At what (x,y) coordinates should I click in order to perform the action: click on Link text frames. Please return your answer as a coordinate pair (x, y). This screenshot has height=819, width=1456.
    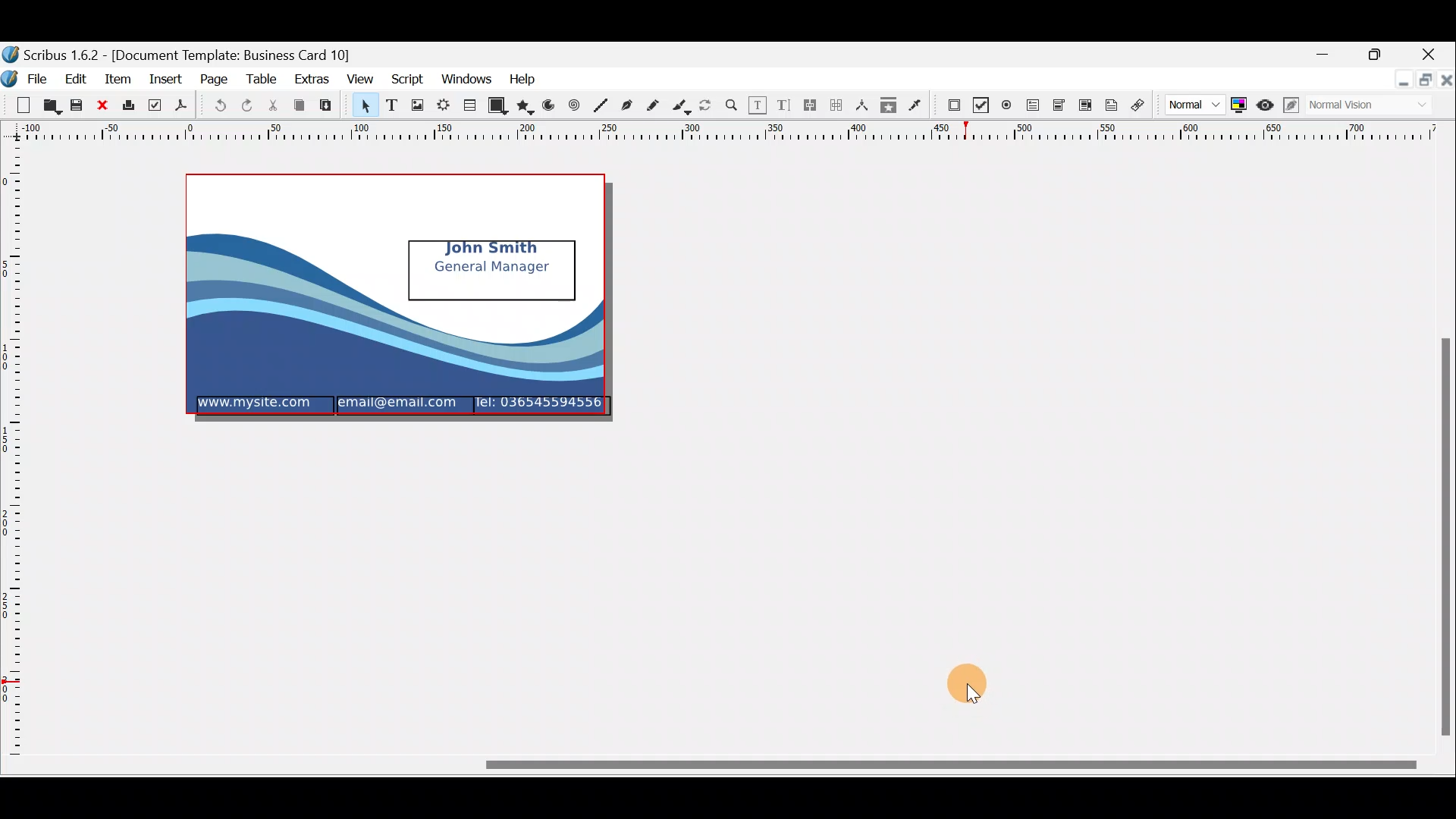
    Looking at the image, I should click on (808, 105).